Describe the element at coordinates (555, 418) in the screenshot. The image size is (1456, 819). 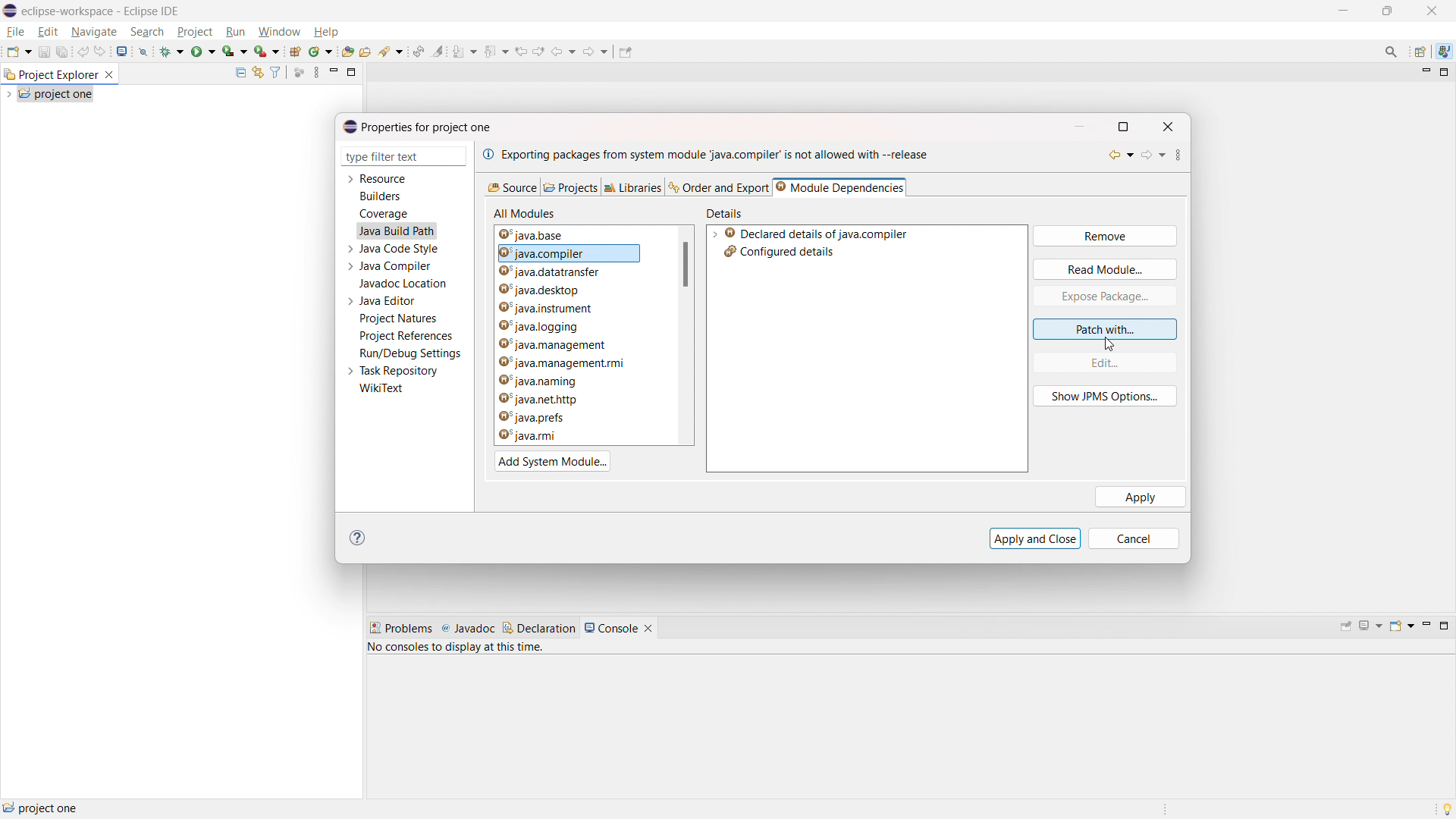
I see `java.prefs` at that location.